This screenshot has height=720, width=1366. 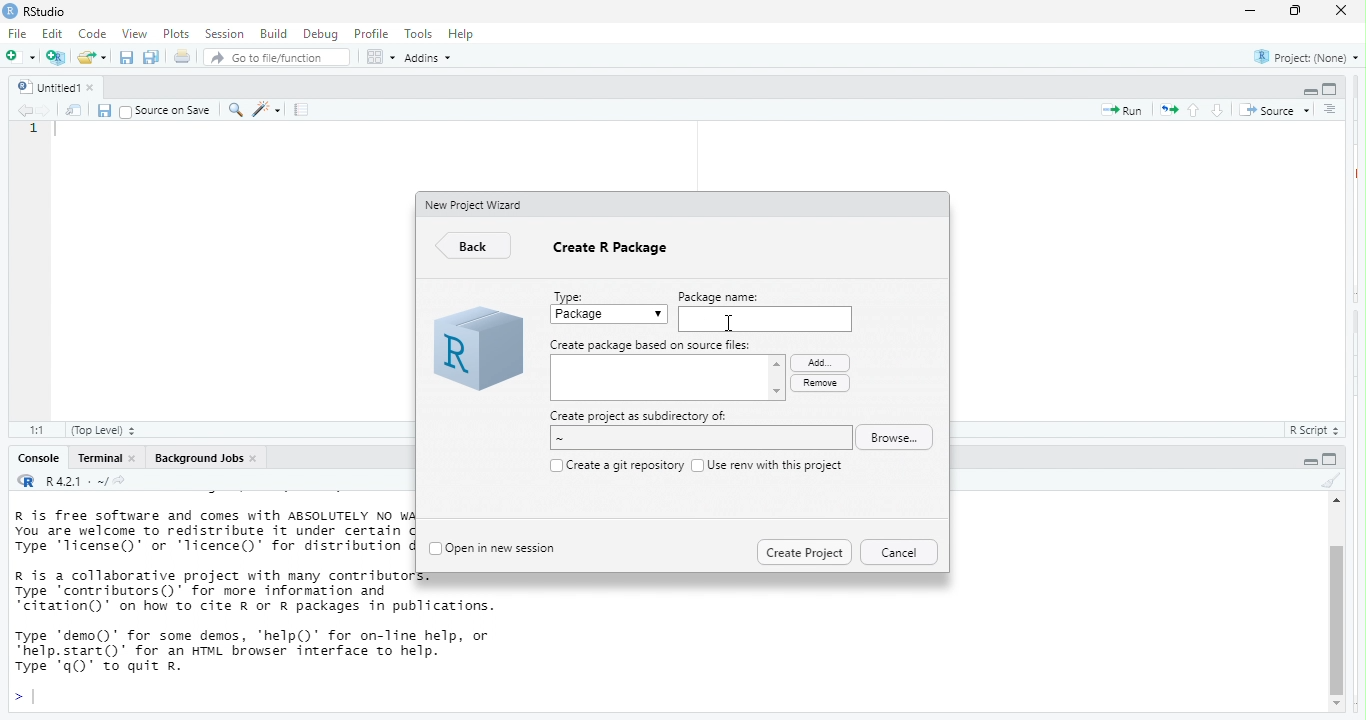 What do you see at coordinates (1336, 609) in the screenshot?
I see `vertical scroll bar` at bounding box center [1336, 609].